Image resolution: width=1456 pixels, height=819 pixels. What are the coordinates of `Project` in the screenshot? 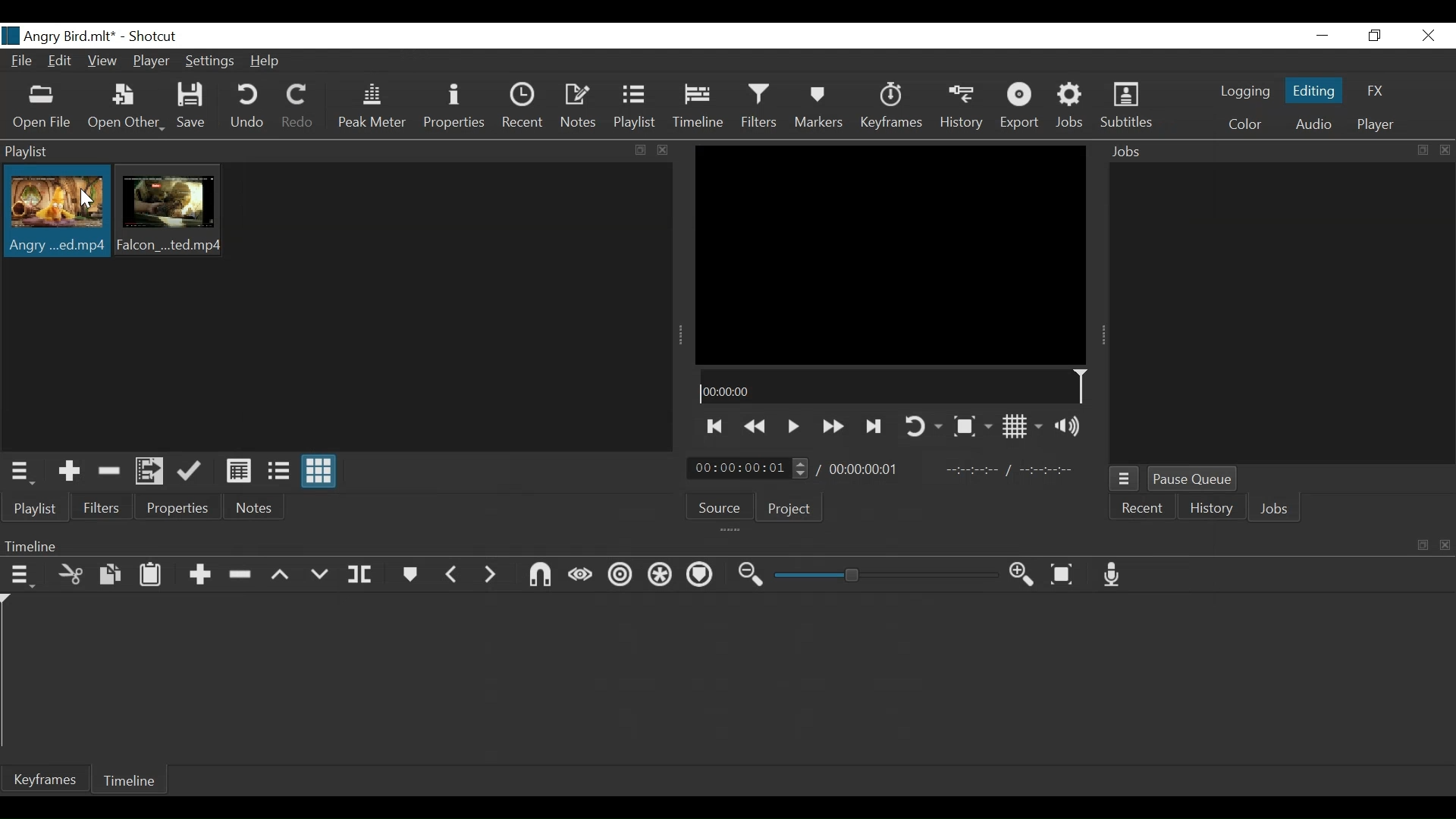 It's located at (789, 507).